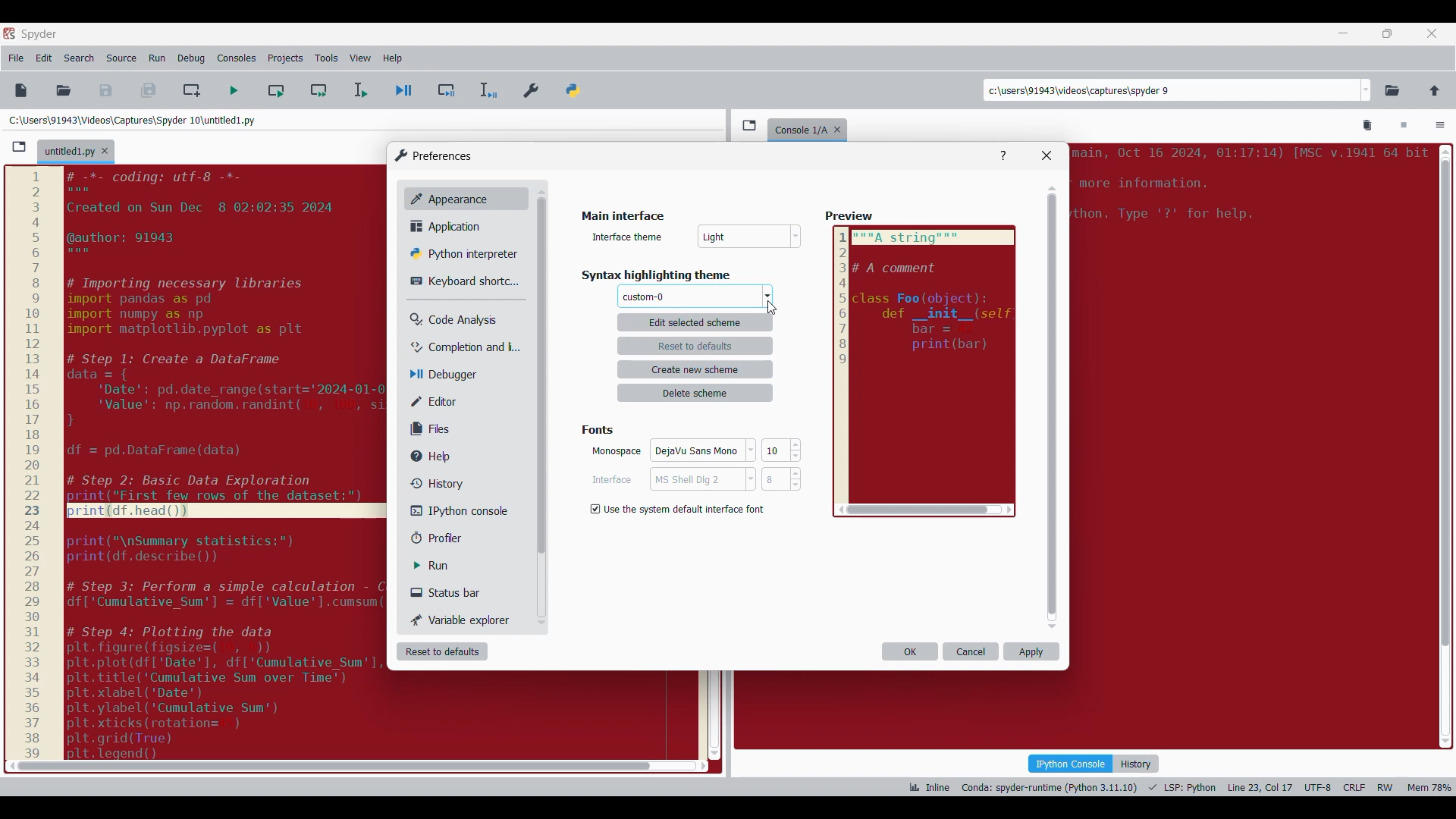 This screenshot has width=1456, height=819. I want to click on OK, so click(910, 651).